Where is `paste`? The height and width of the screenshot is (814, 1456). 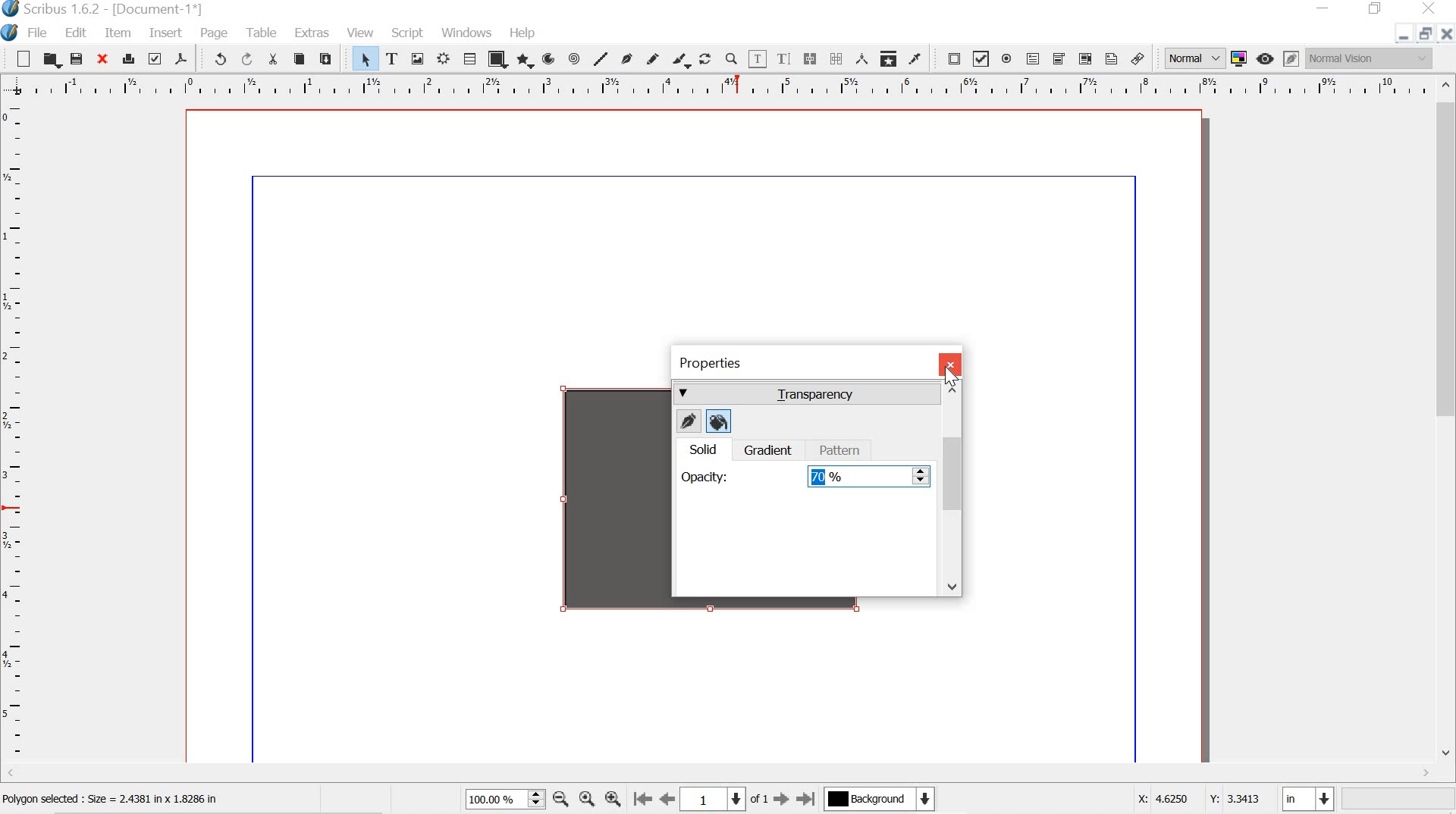 paste is located at coordinates (331, 59).